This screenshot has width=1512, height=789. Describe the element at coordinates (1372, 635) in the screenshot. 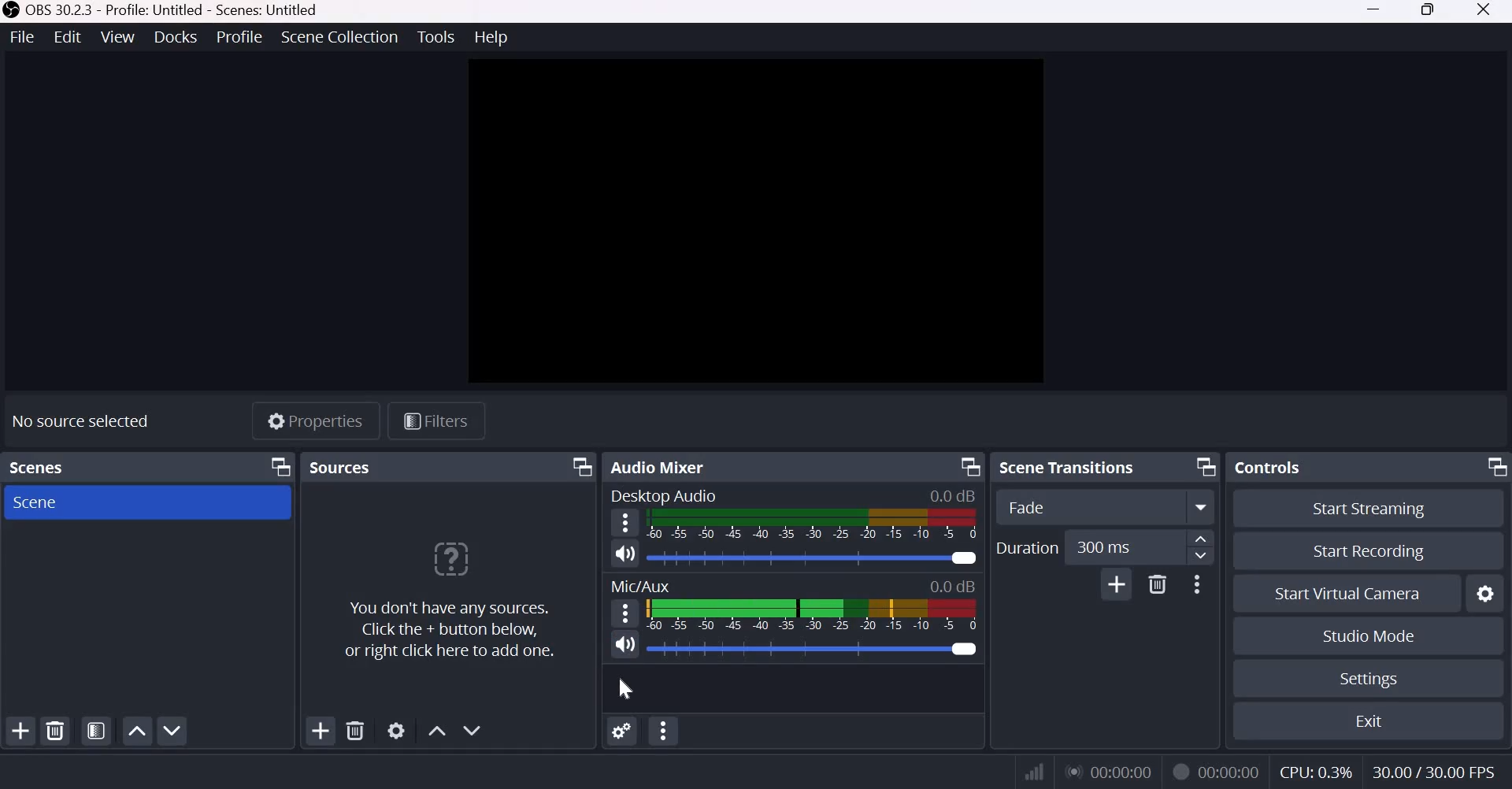

I see `Studio mode` at that location.